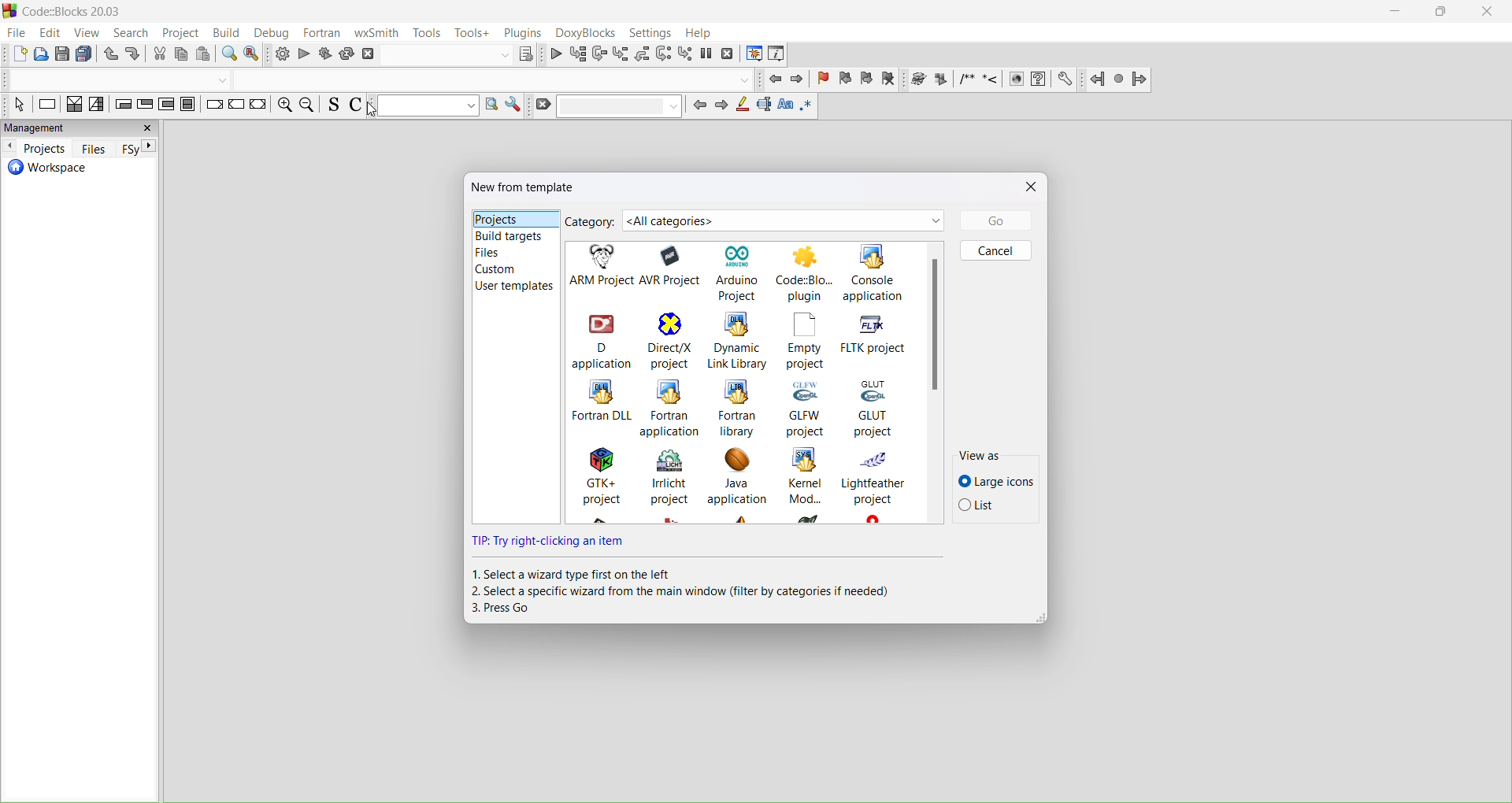  What do you see at coordinates (17, 104) in the screenshot?
I see `select` at bounding box center [17, 104].